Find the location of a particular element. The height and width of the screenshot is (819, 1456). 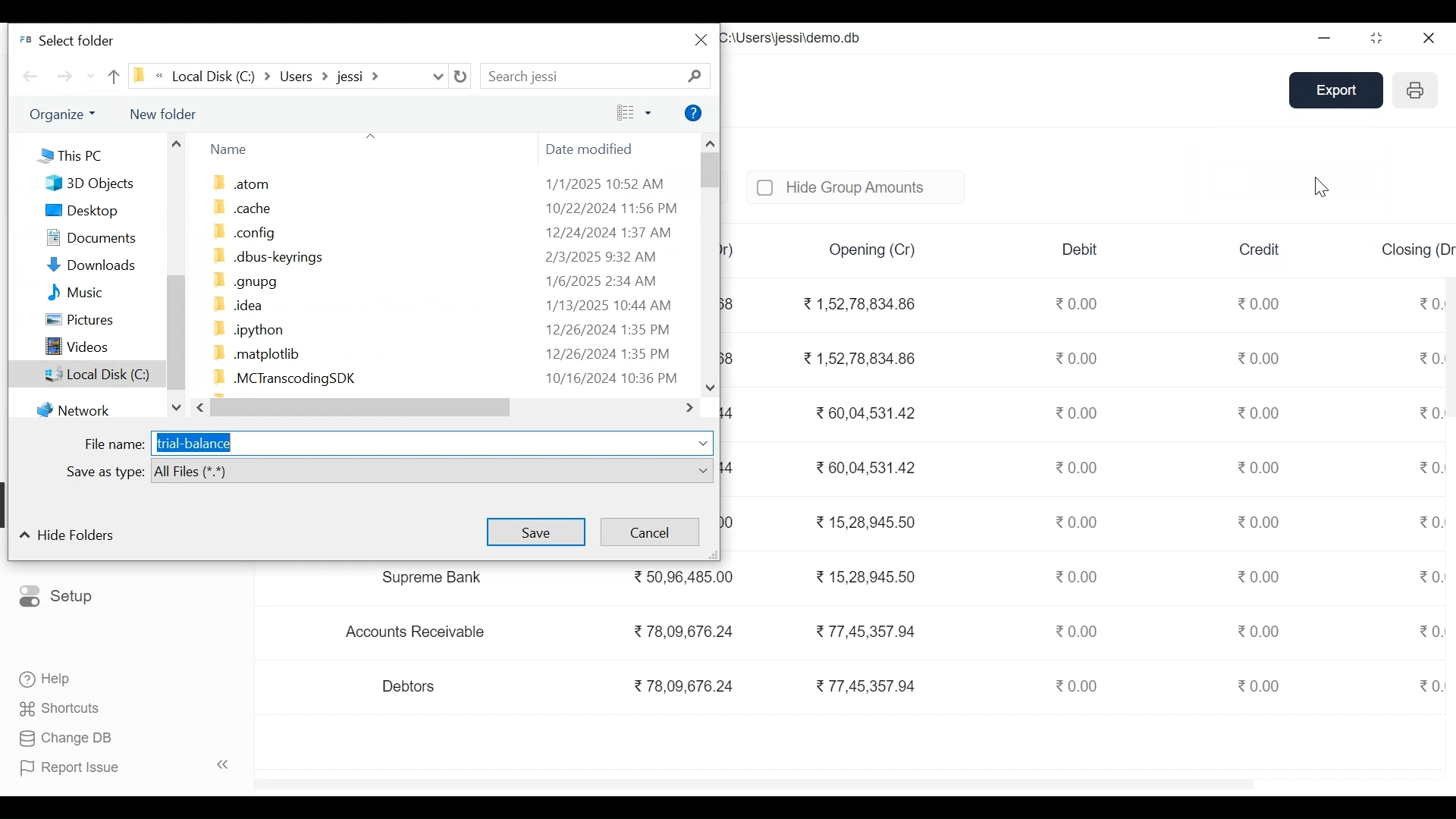

1/6/2025 2:34 AM is located at coordinates (604, 281).